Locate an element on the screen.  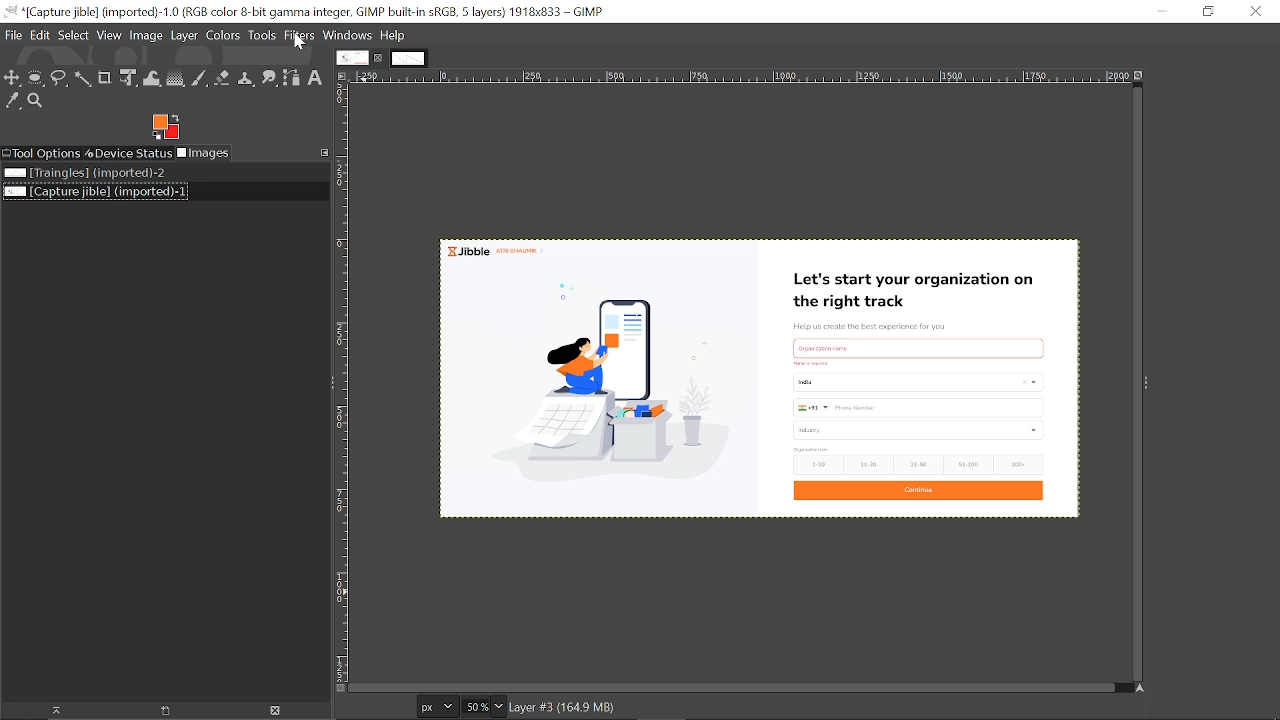
Zoom image when window size changes is located at coordinates (1141, 79).